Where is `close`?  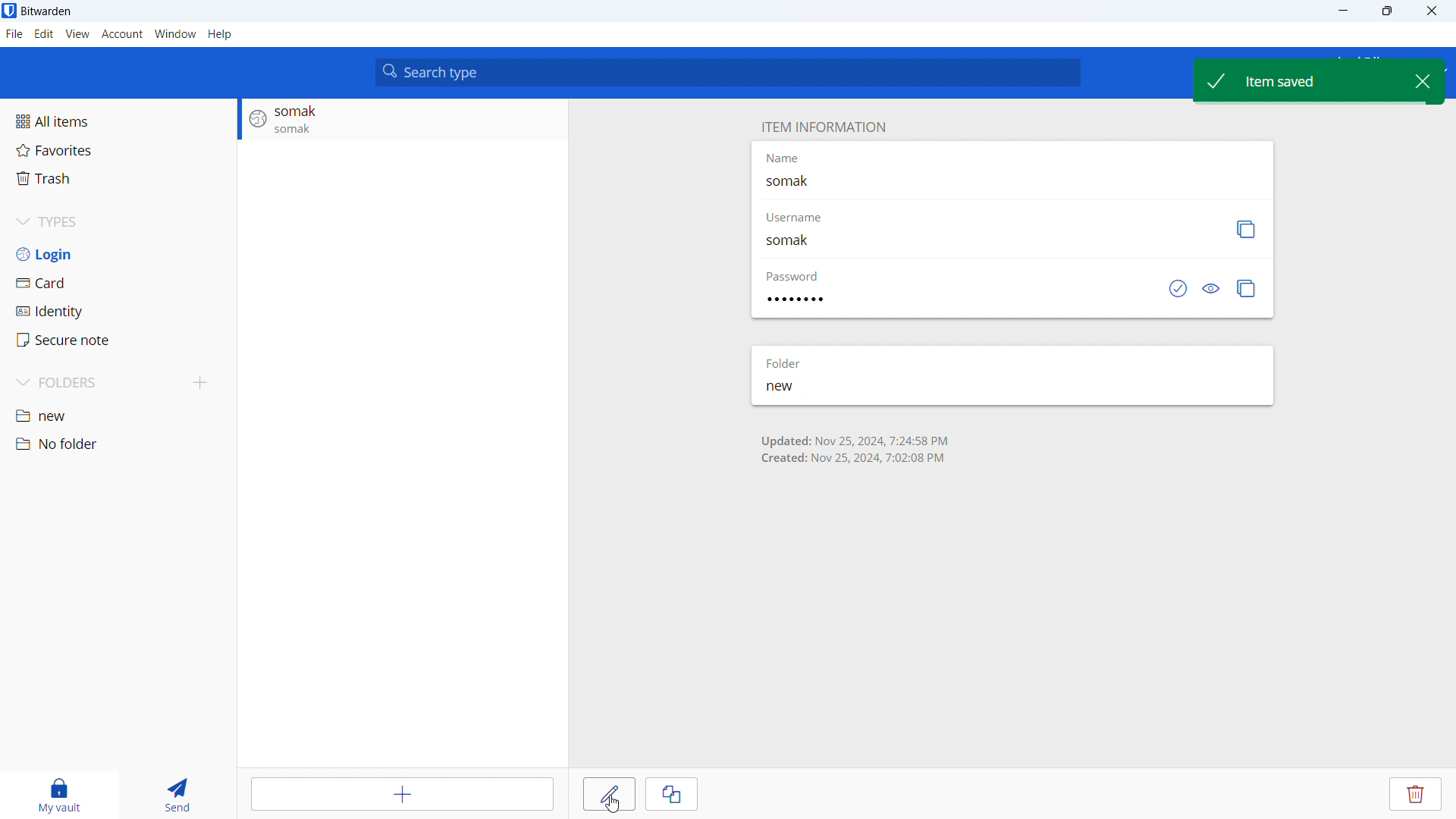
close is located at coordinates (1430, 11).